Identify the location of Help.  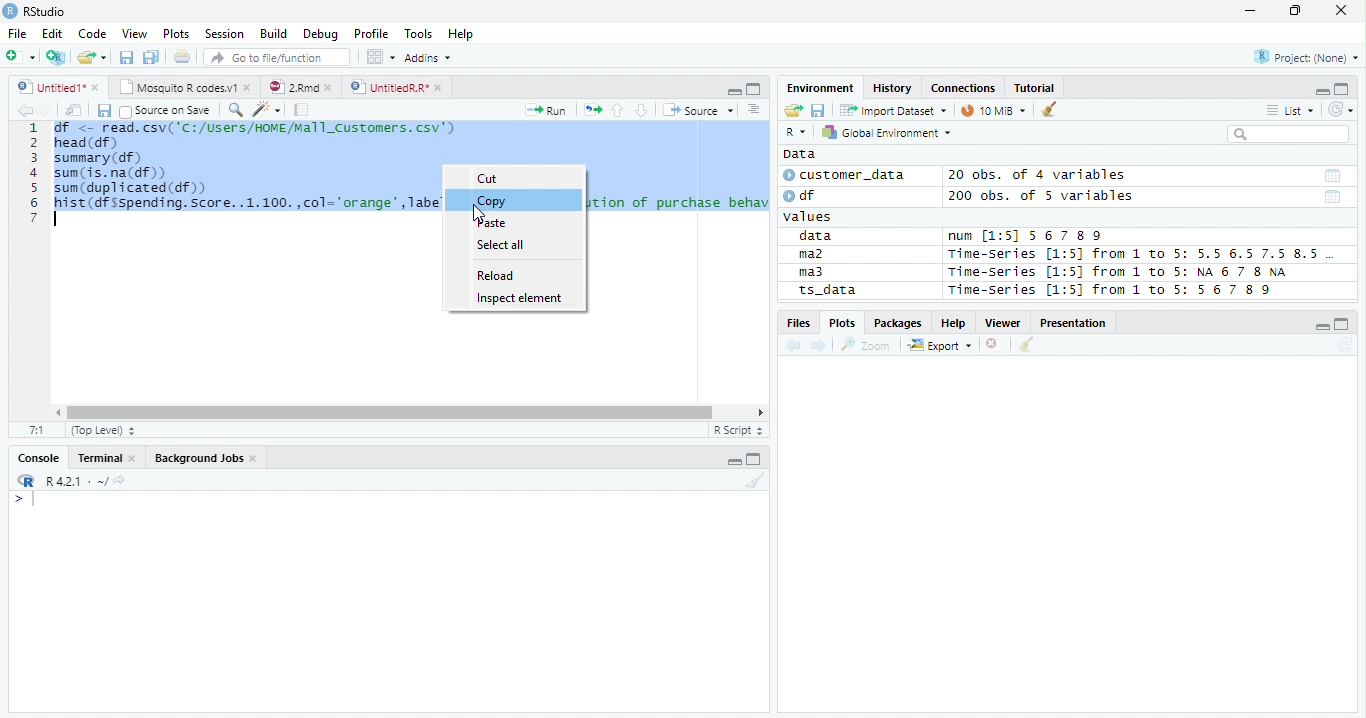
(463, 34).